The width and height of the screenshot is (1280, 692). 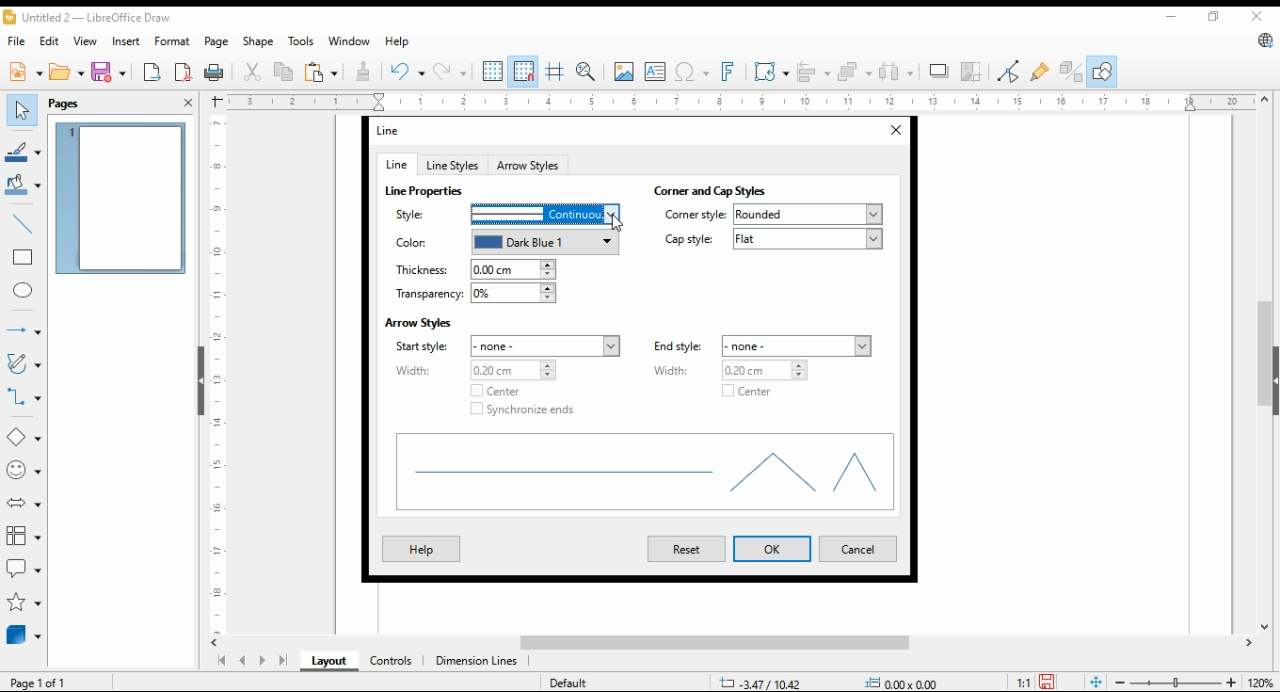 What do you see at coordinates (974, 71) in the screenshot?
I see `crop` at bounding box center [974, 71].